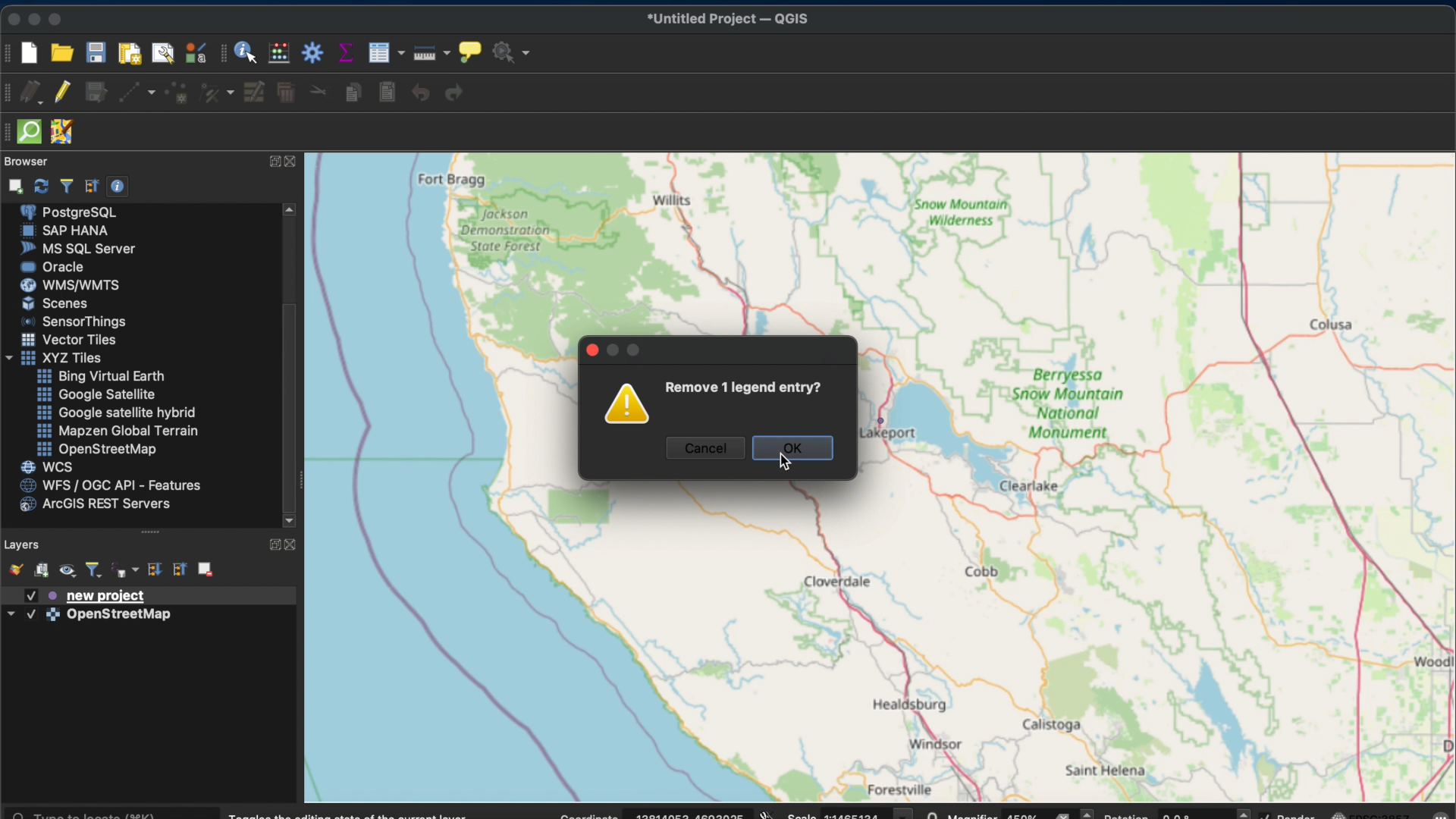 The height and width of the screenshot is (819, 1456). I want to click on enable/ disable properties widget, so click(118, 186).